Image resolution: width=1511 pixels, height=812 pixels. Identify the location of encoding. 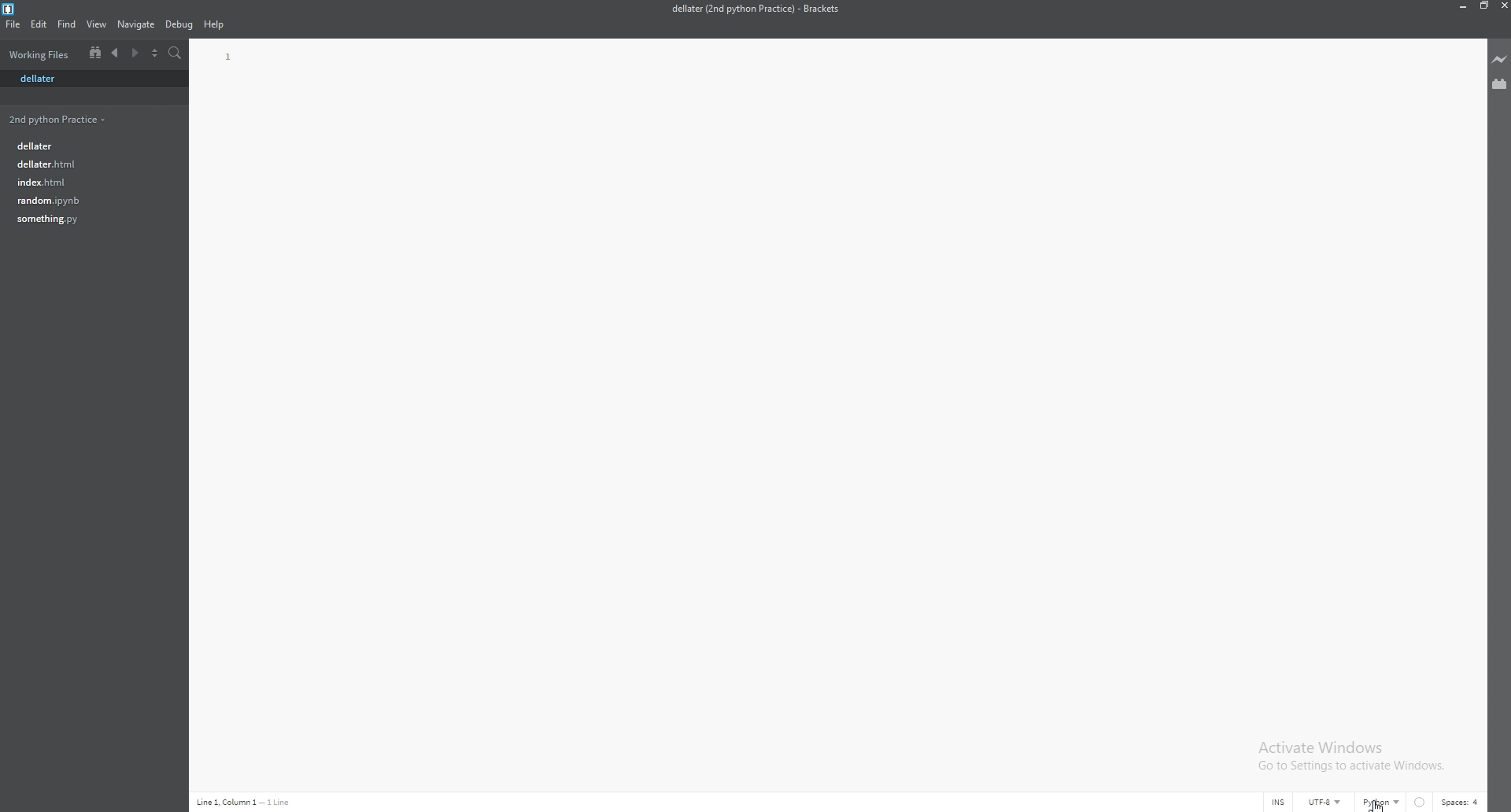
(1324, 802).